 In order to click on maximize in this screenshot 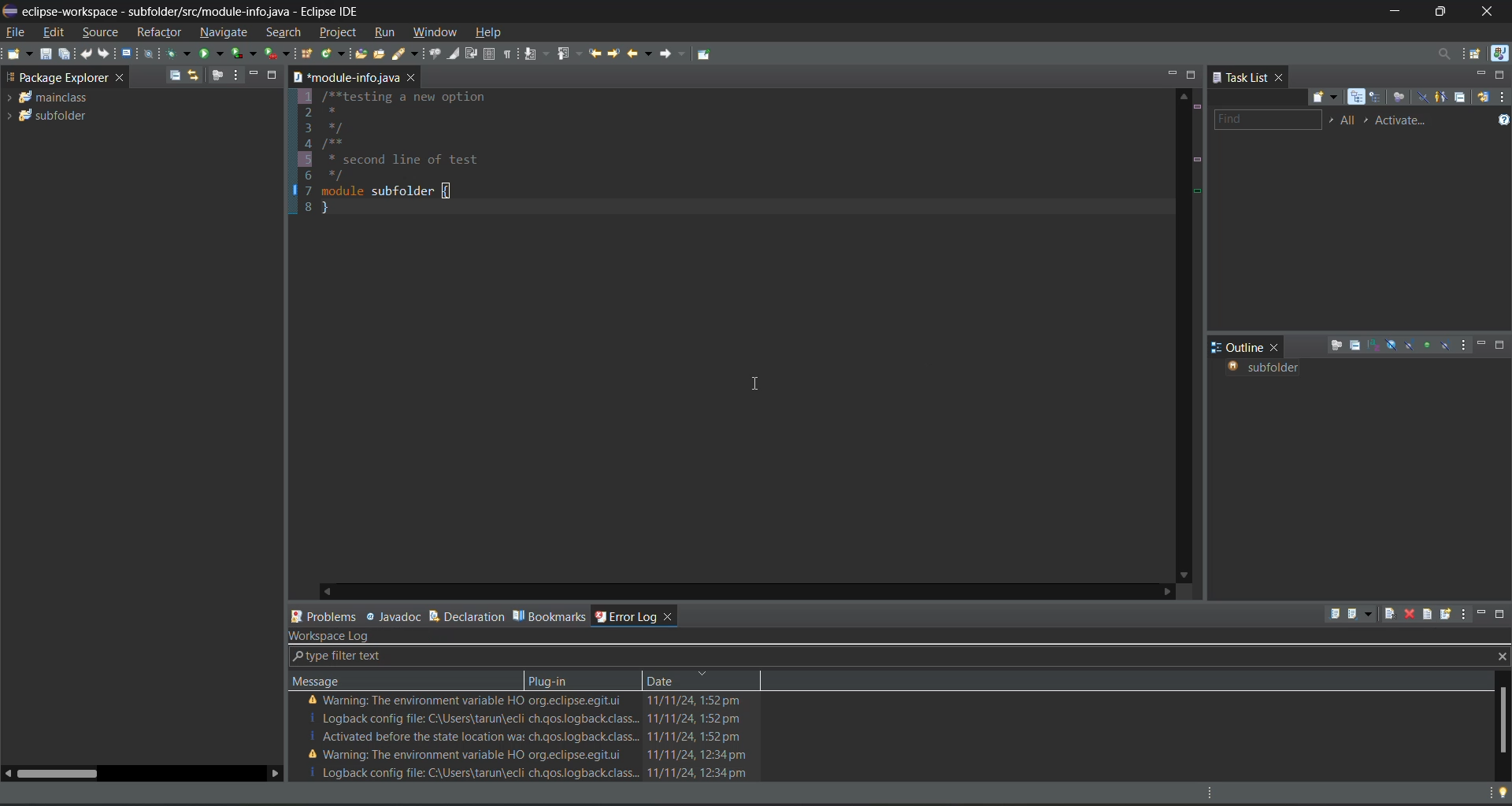, I will do `click(1500, 614)`.